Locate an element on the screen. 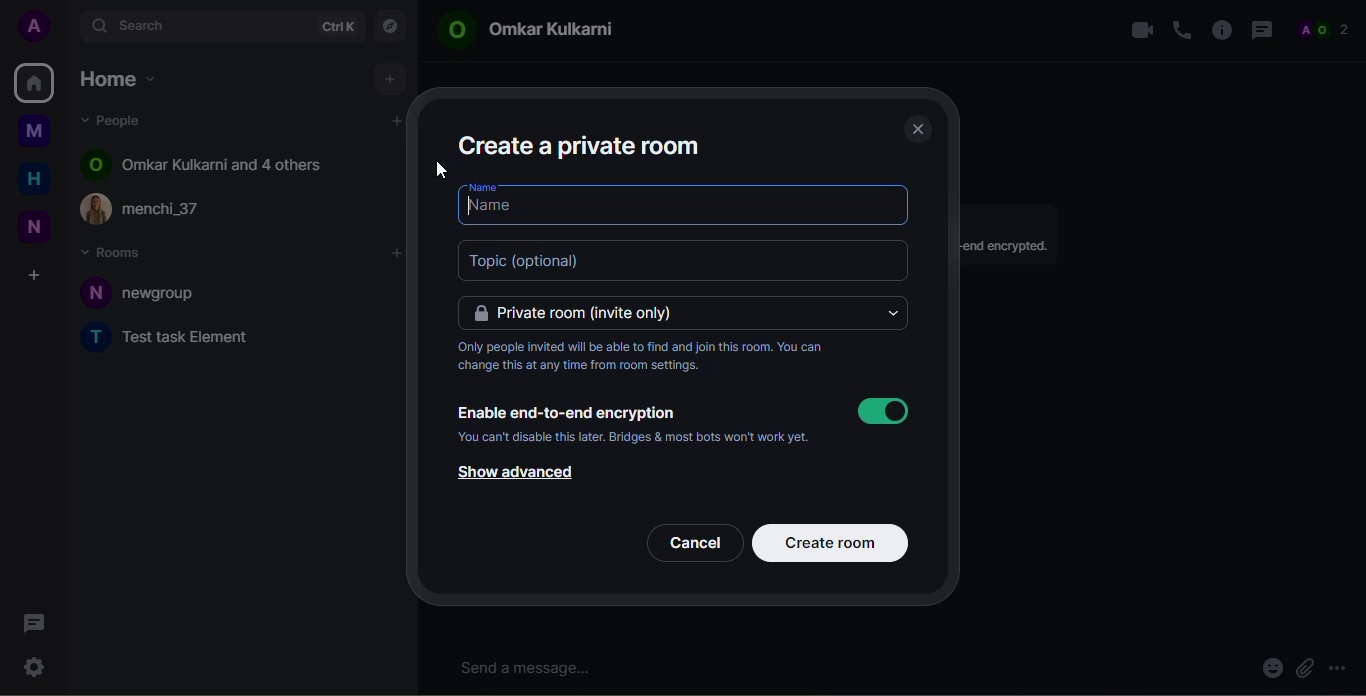  private room (invite only) is located at coordinates (580, 312).